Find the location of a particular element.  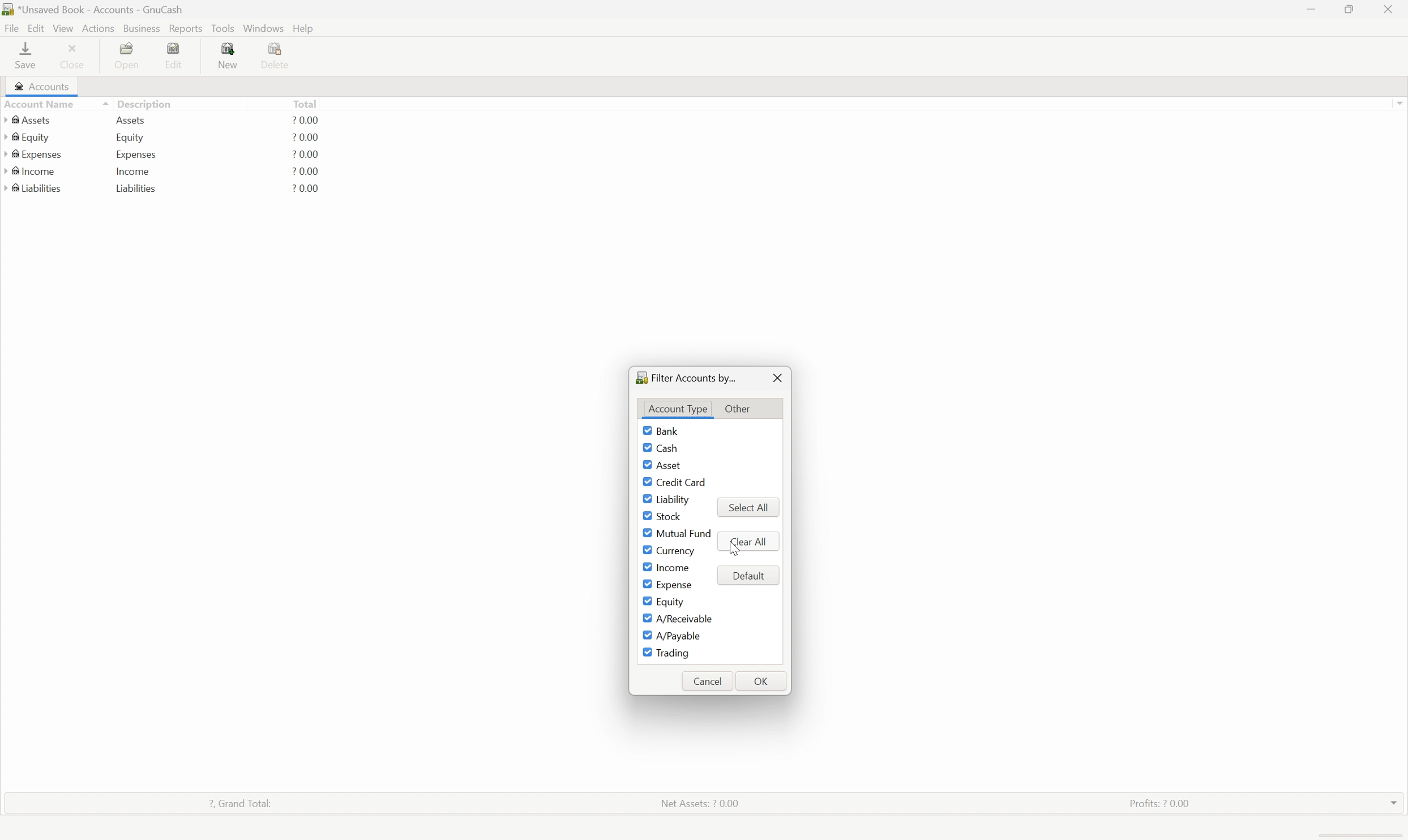

Reports is located at coordinates (184, 28).